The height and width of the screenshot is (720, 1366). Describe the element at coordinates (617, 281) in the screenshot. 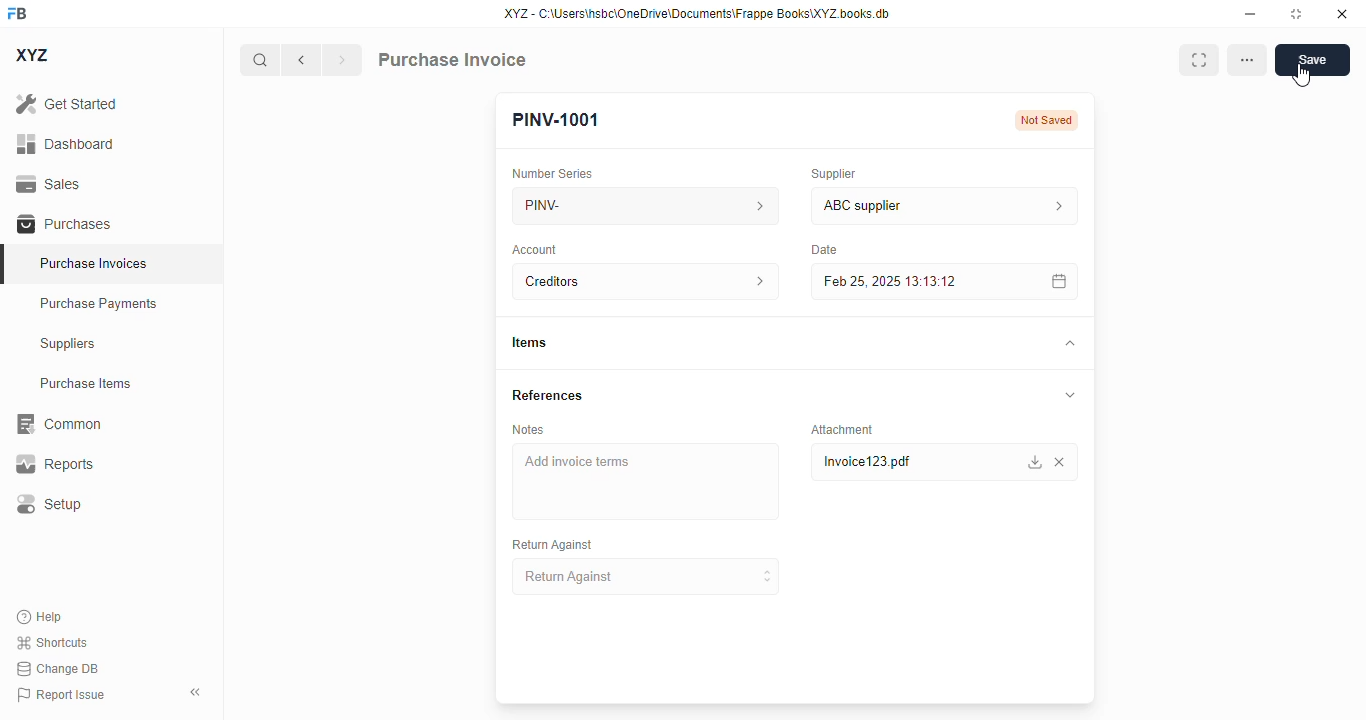

I see `creditors` at that location.